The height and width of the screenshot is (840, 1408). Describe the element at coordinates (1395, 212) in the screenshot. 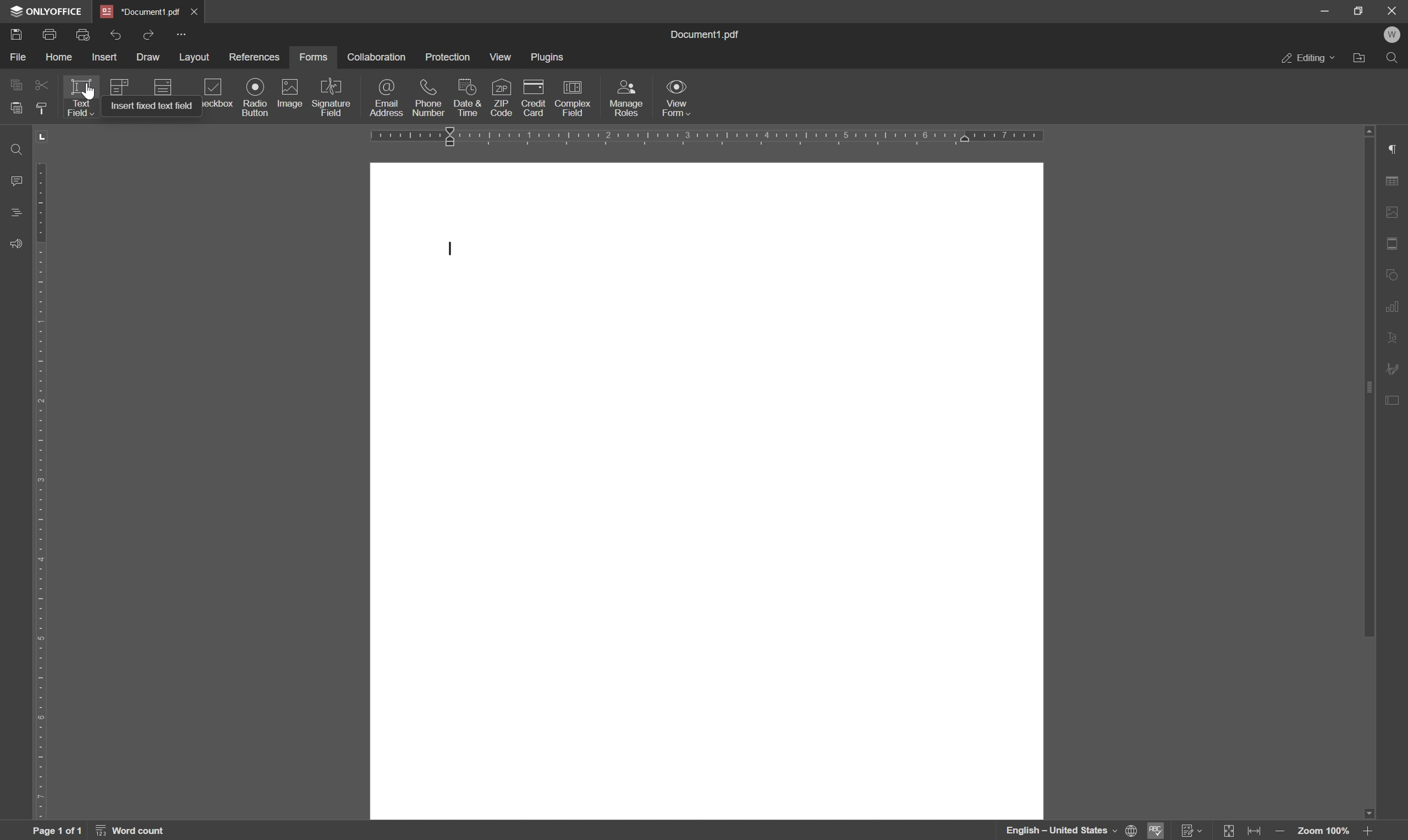

I see `image settings` at that location.